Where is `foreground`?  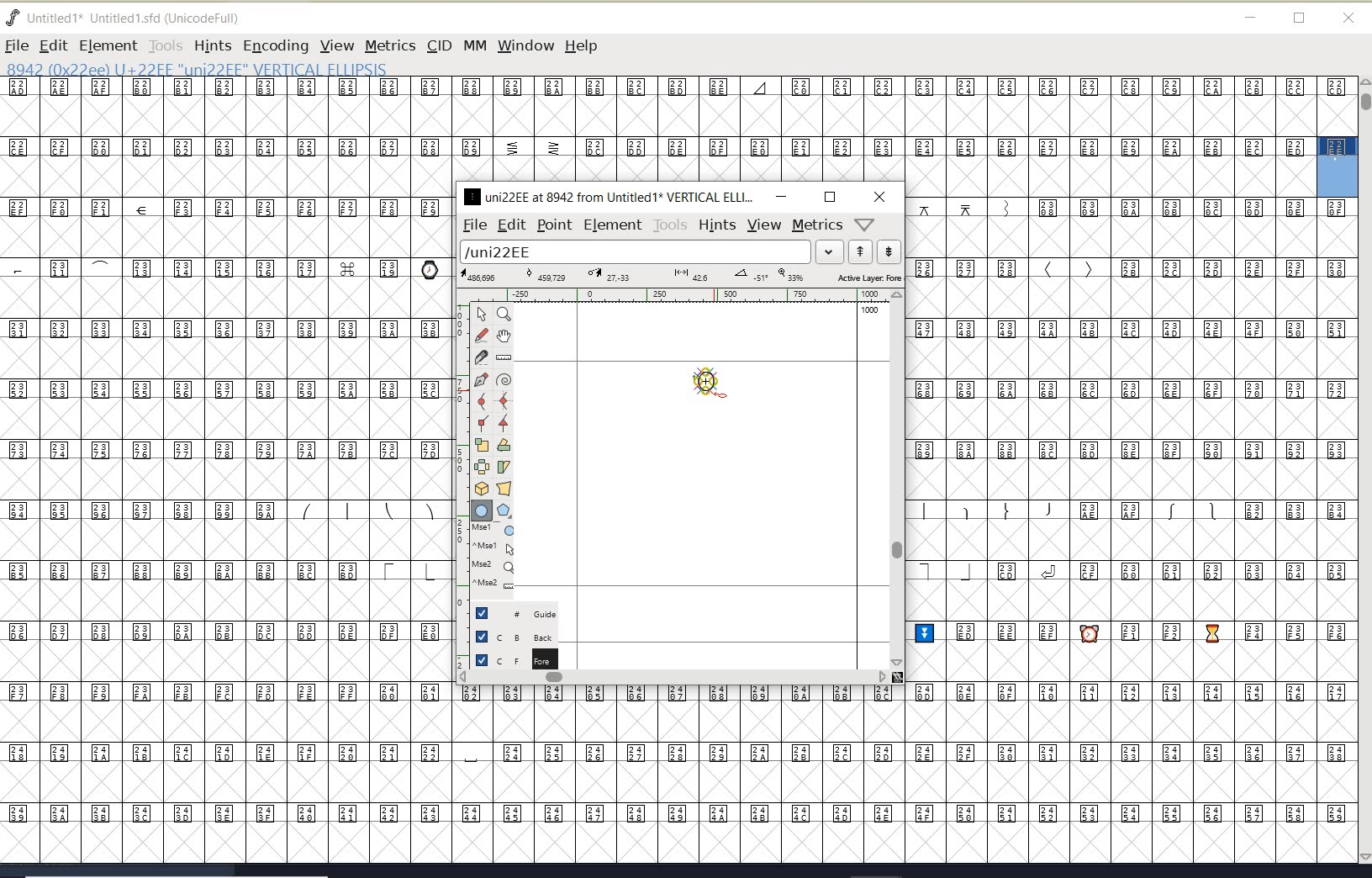
foreground is located at coordinates (514, 658).